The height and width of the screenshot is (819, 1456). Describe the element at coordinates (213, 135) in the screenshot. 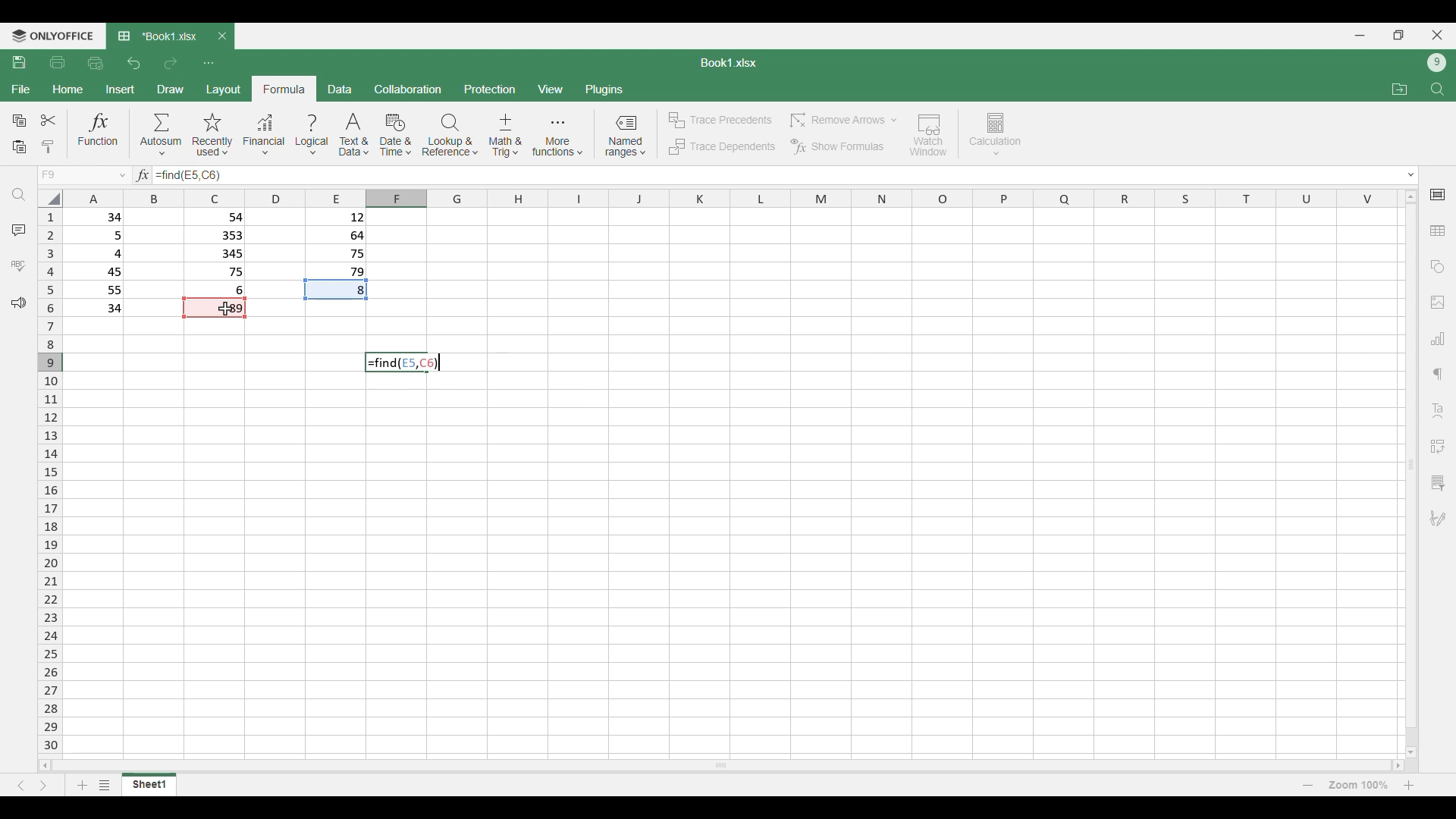

I see `Recently used` at that location.